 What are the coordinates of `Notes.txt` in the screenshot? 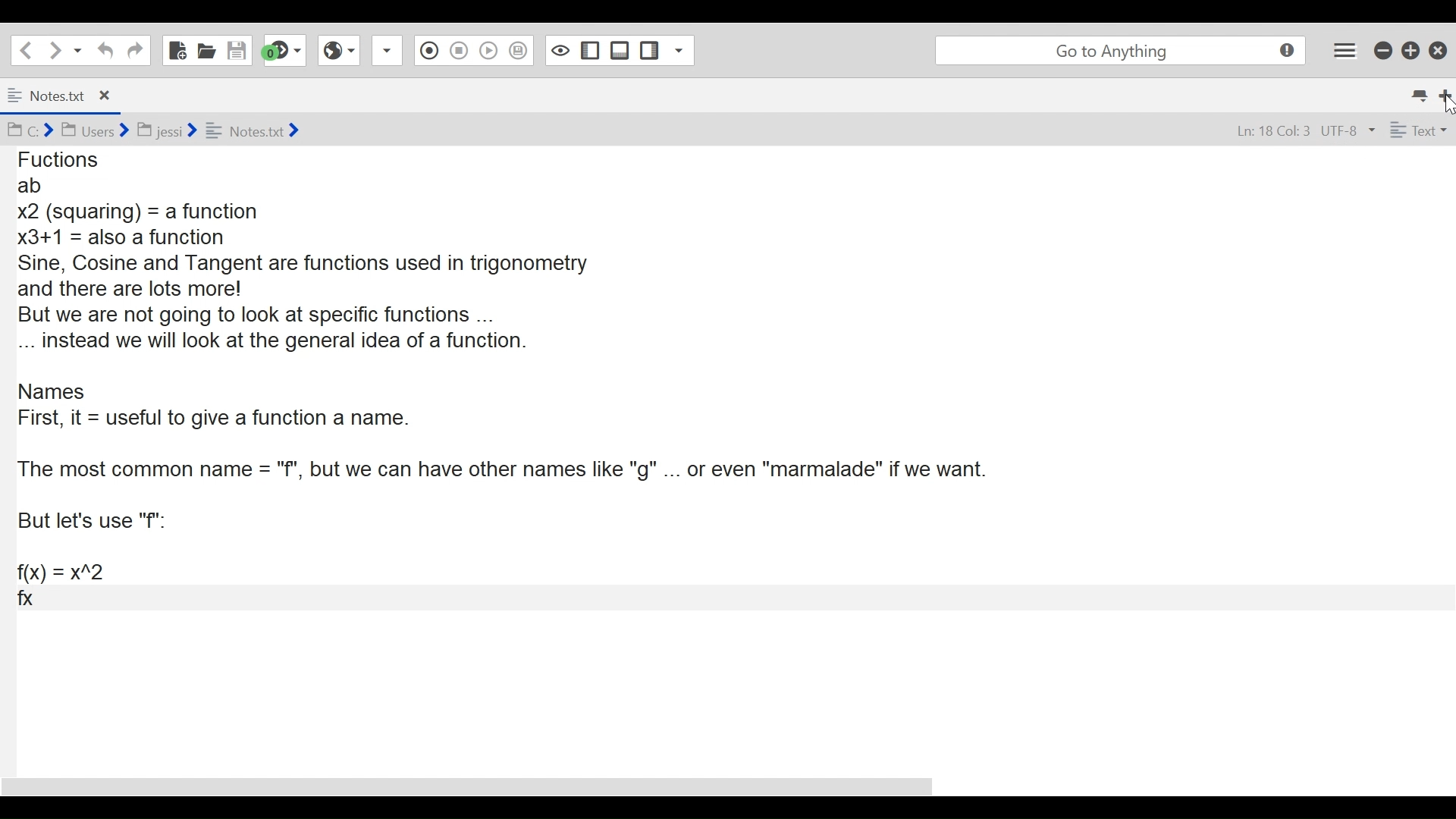 It's located at (42, 97).